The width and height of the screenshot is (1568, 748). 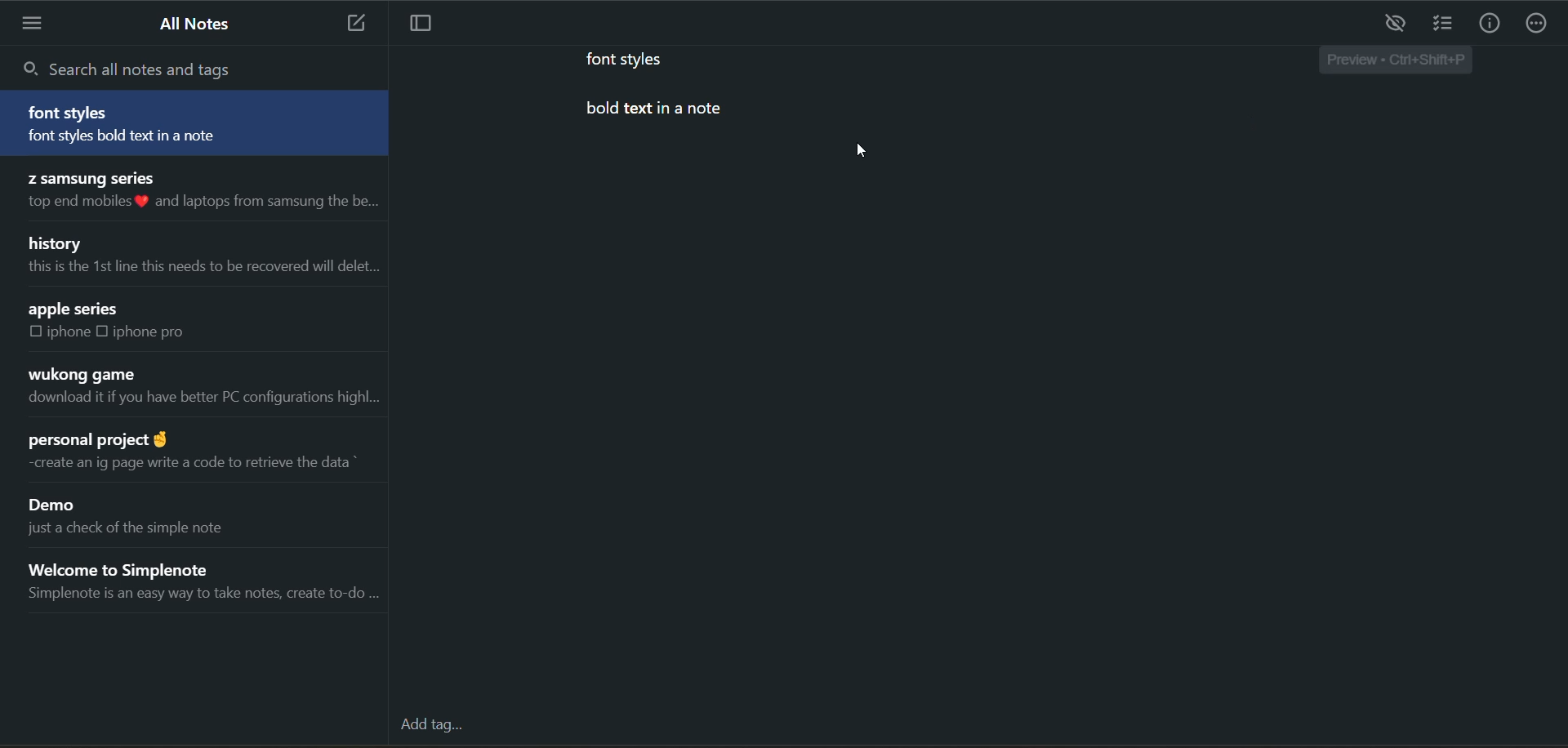 What do you see at coordinates (58, 506) in the screenshot?
I see `Demo` at bounding box center [58, 506].